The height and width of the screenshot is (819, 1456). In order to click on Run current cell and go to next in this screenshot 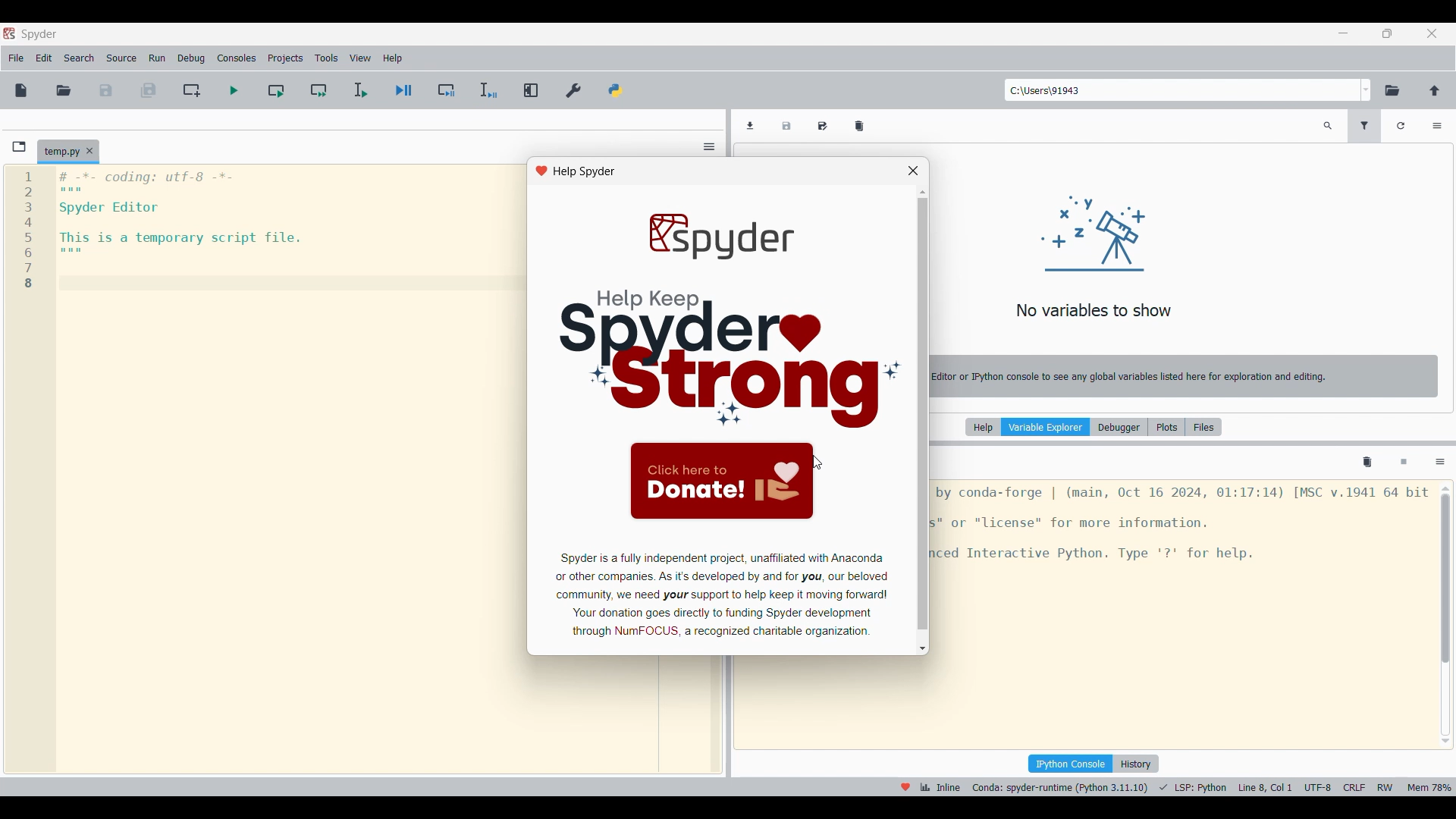, I will do `click(319, 90)`.